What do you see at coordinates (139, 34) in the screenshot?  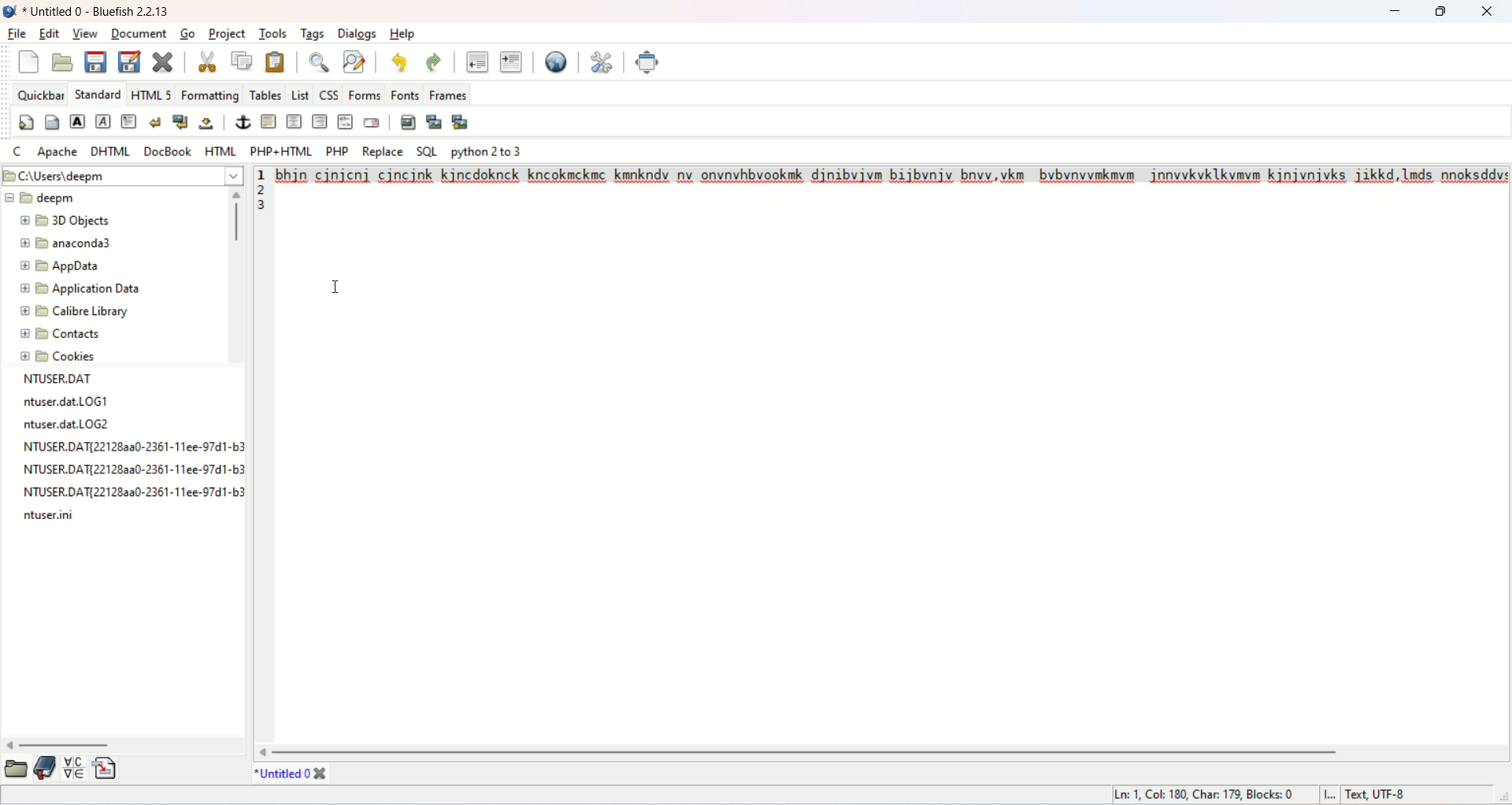 I see `document` at bounding box center [139, 34].